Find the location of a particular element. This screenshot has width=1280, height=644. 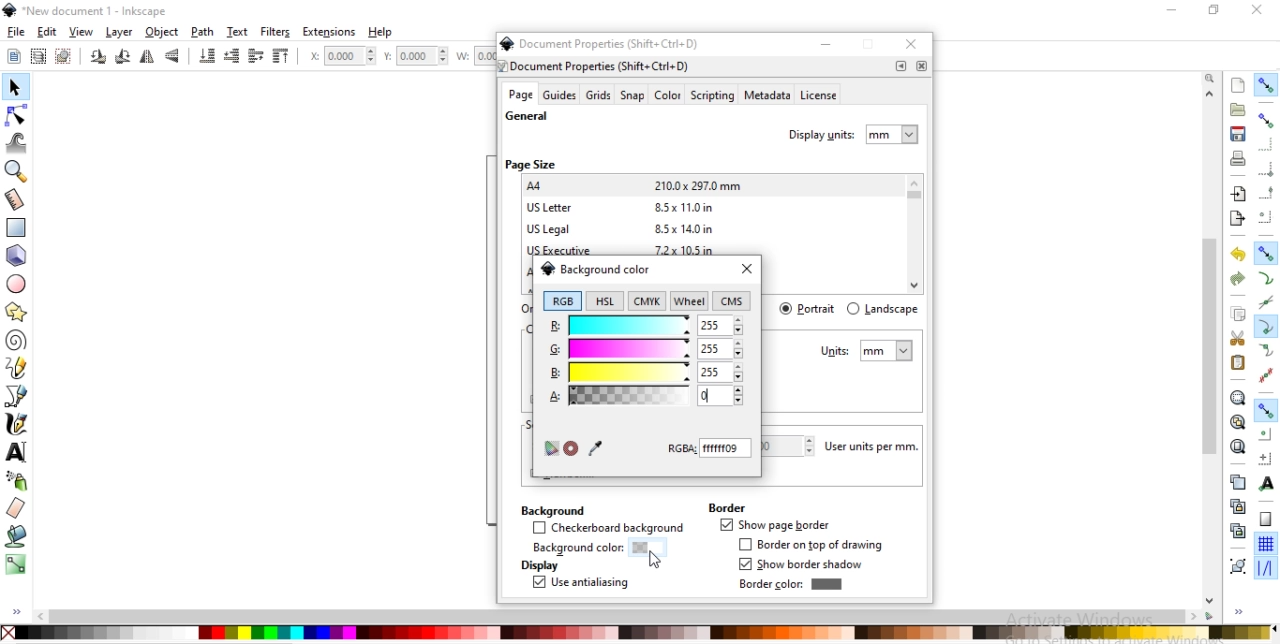

object is located at coordinates (162, 32).